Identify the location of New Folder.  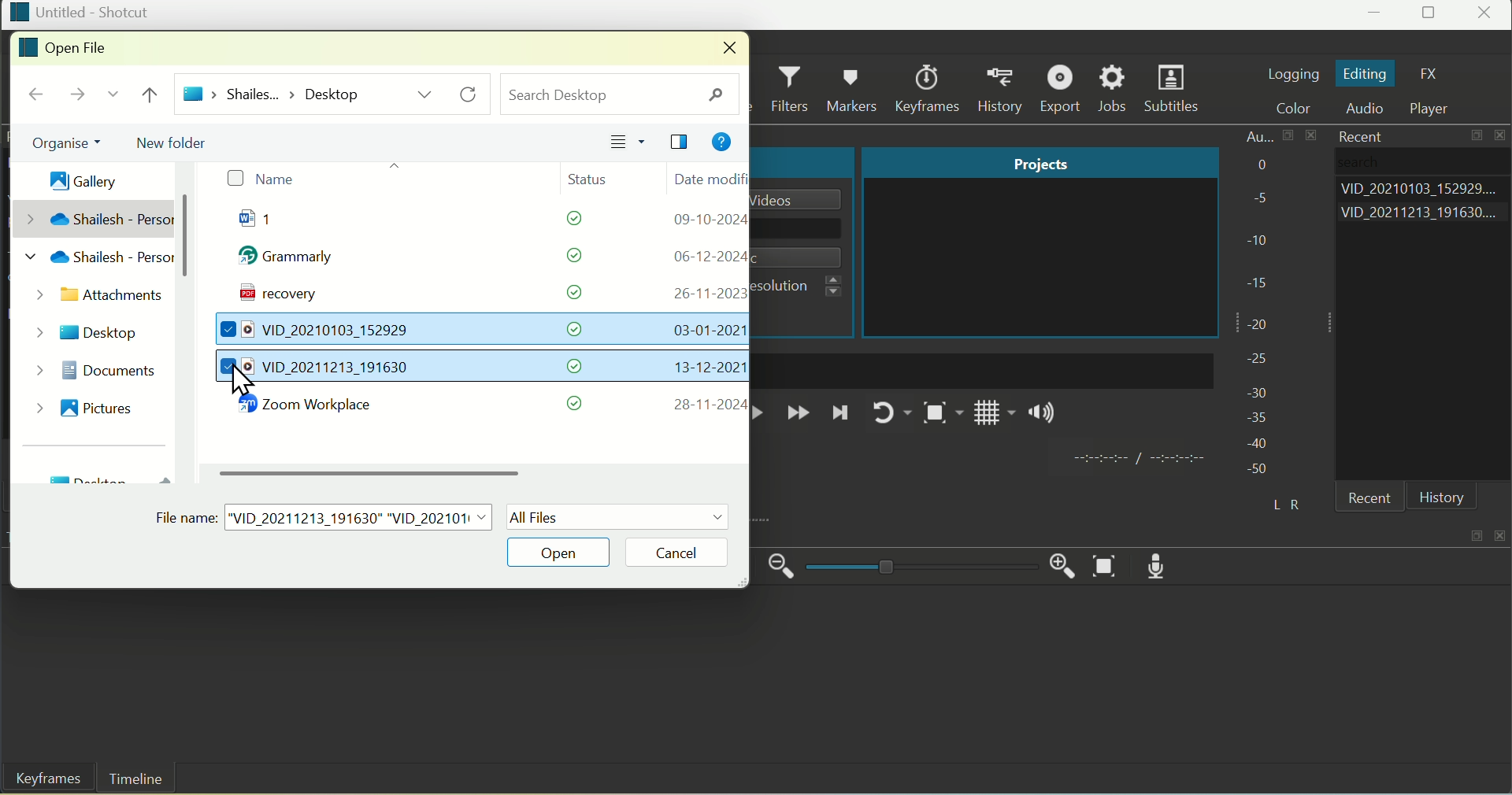
(177, 140).